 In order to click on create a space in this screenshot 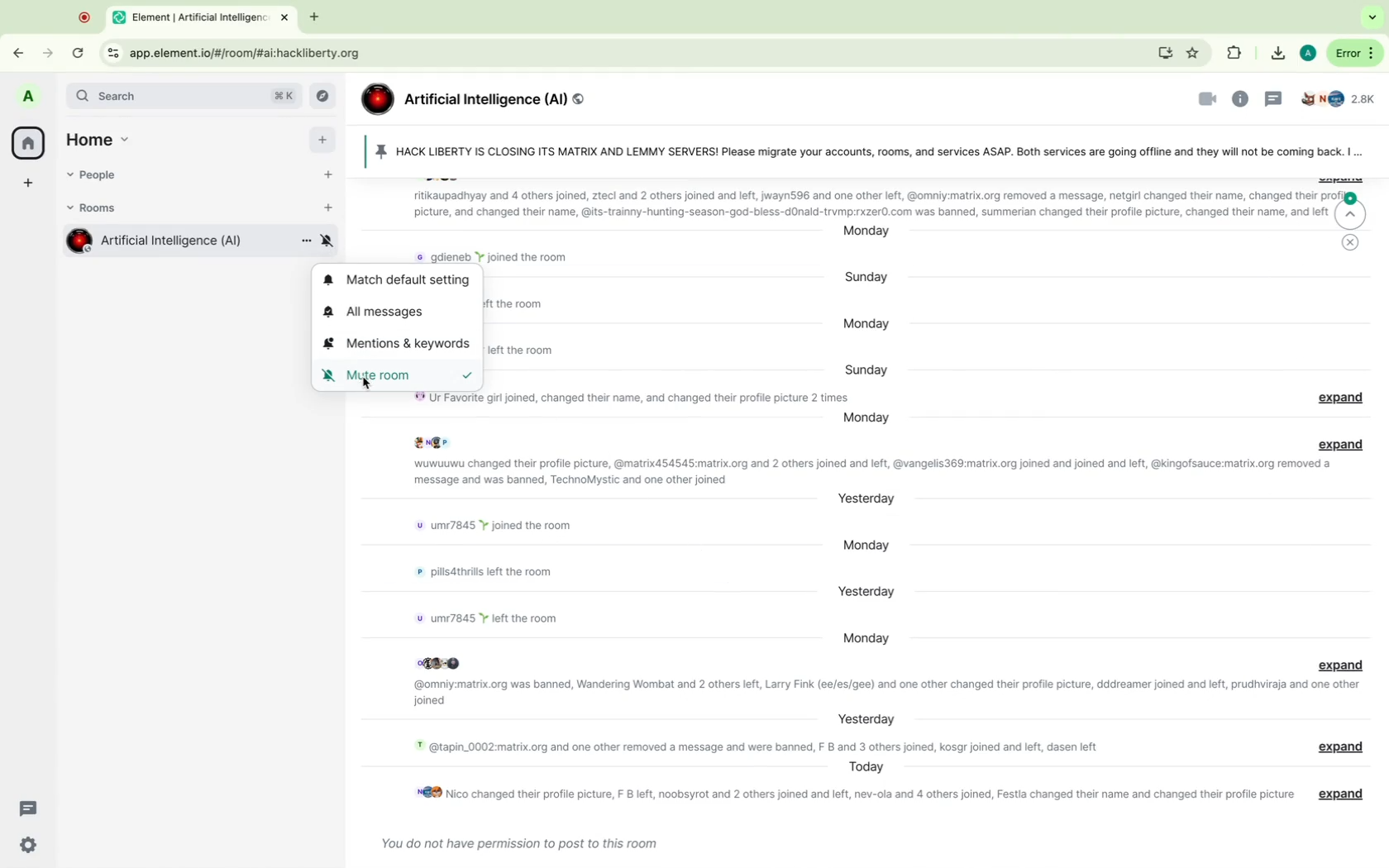, I will do `click(28, 182)`.